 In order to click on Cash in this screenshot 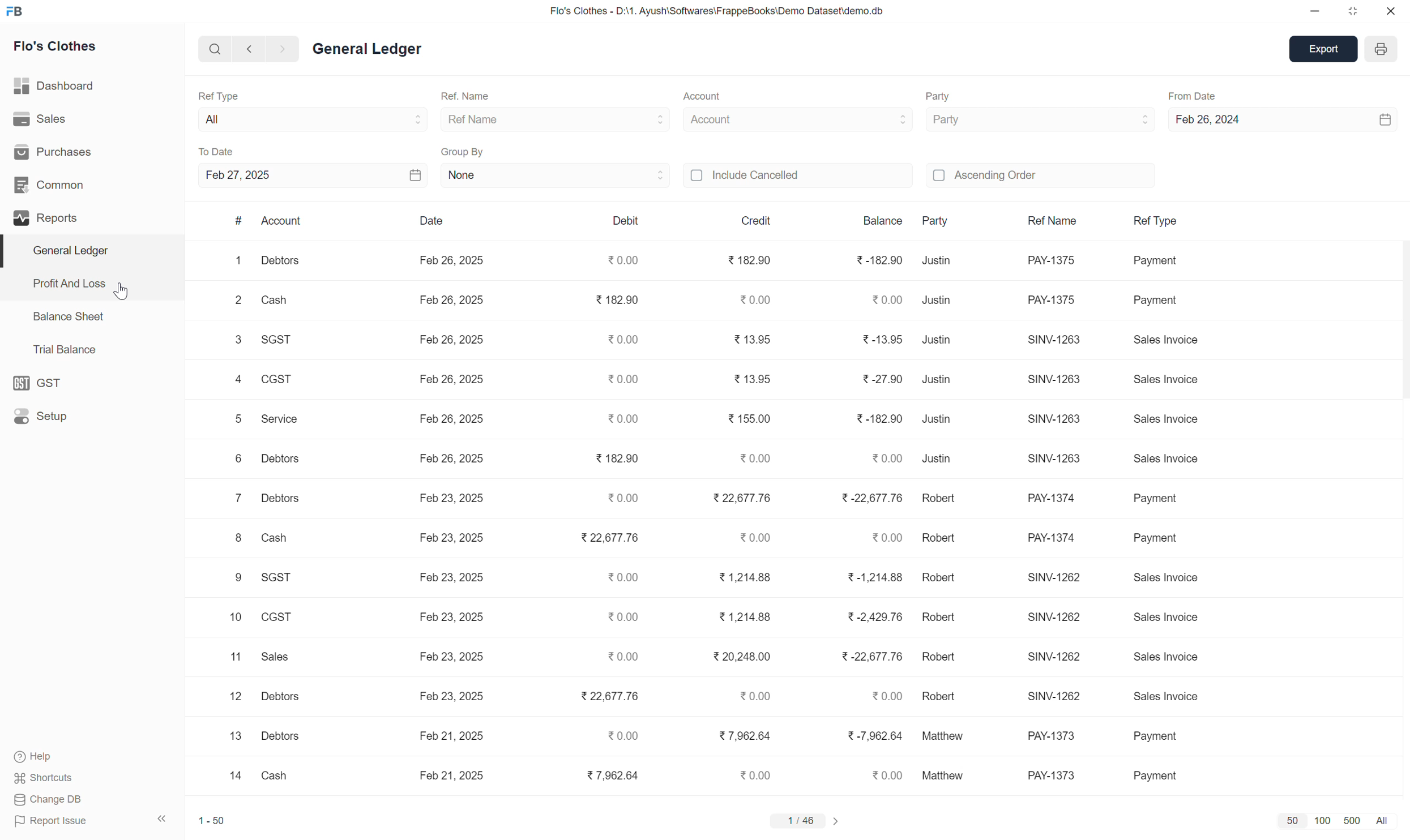, I will do `click(277, 779)`.